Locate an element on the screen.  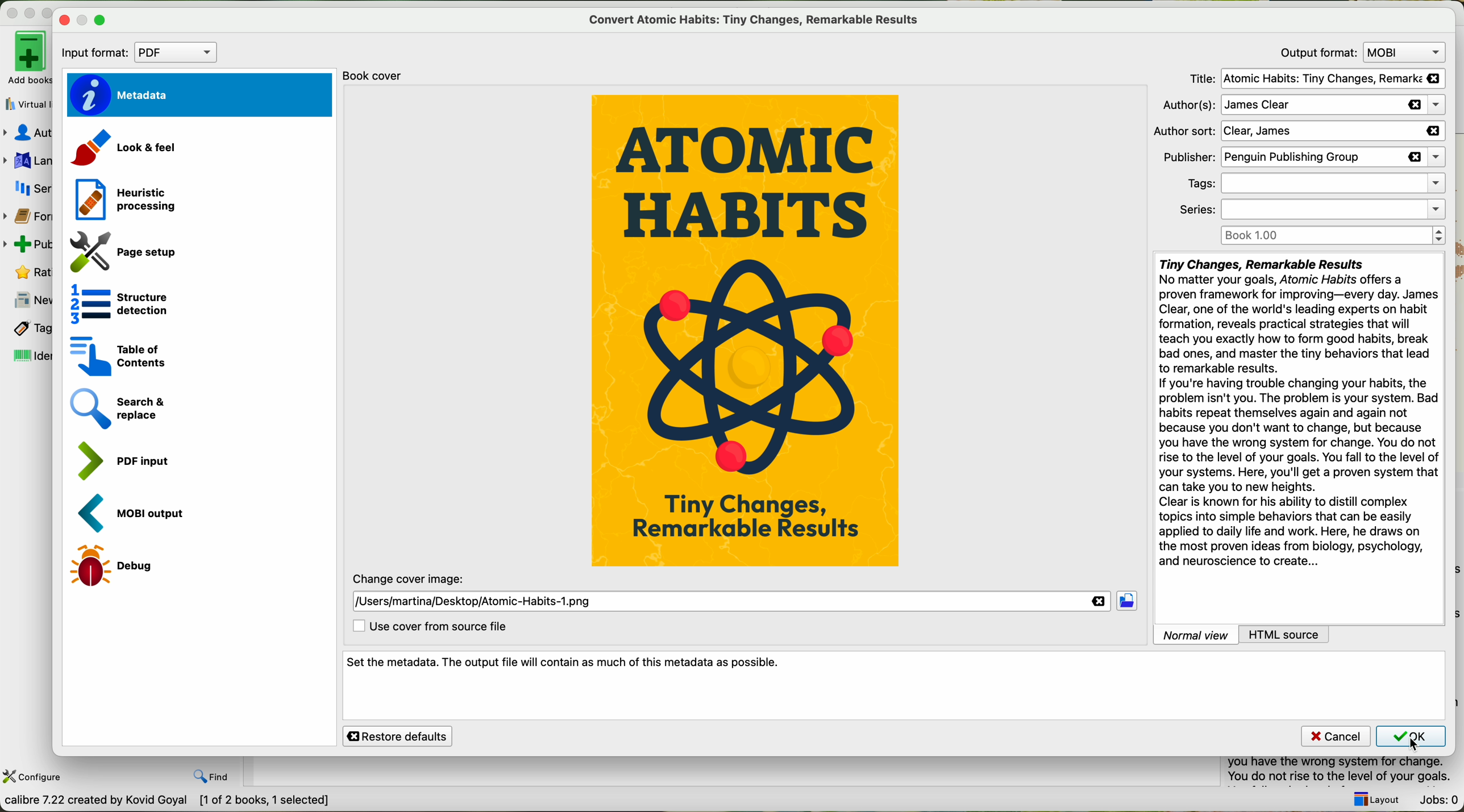
synopsis is located at coordinates (1298, 412).